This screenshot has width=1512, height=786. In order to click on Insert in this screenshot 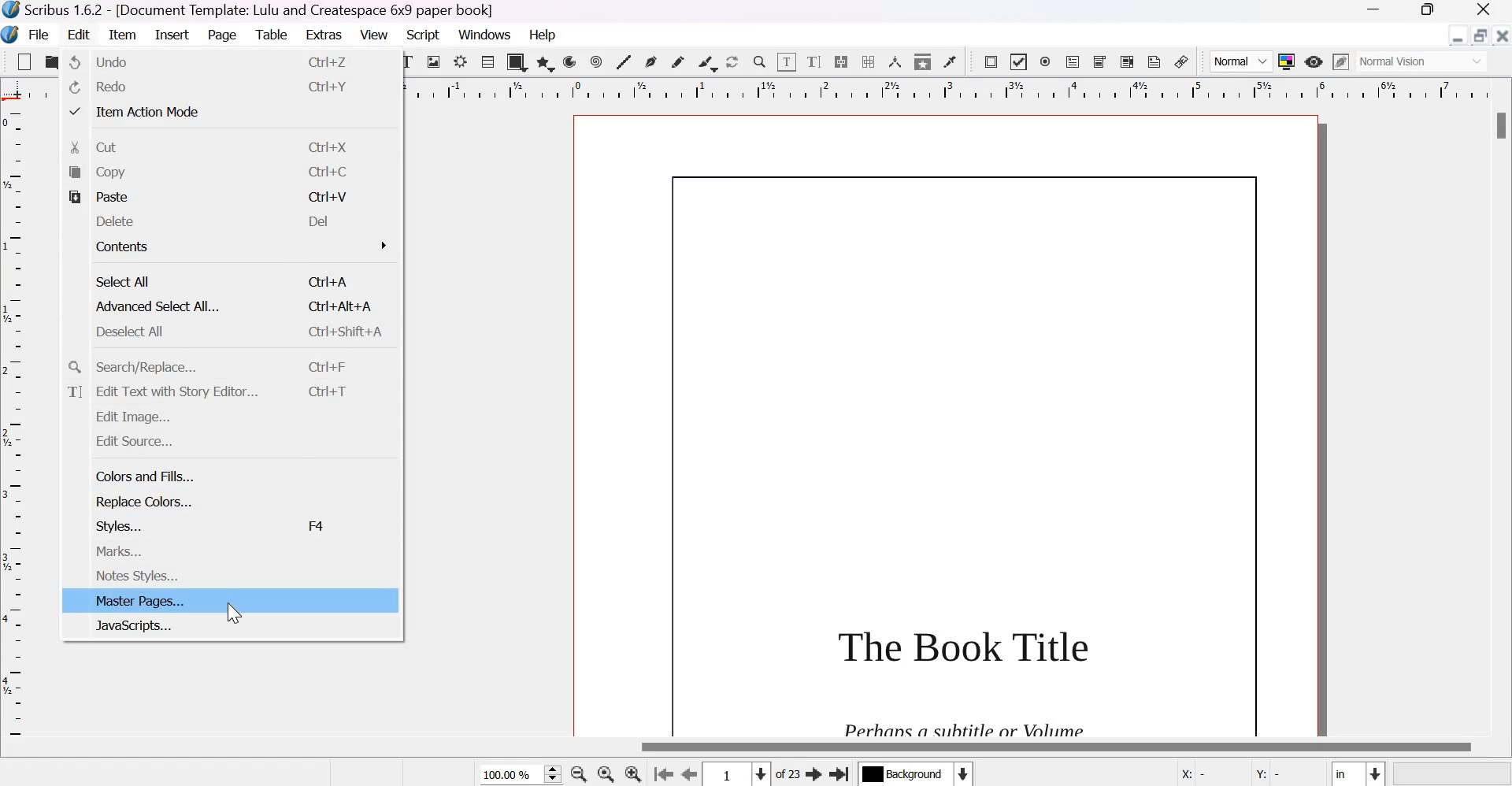, I will do `click(172, 35)`.